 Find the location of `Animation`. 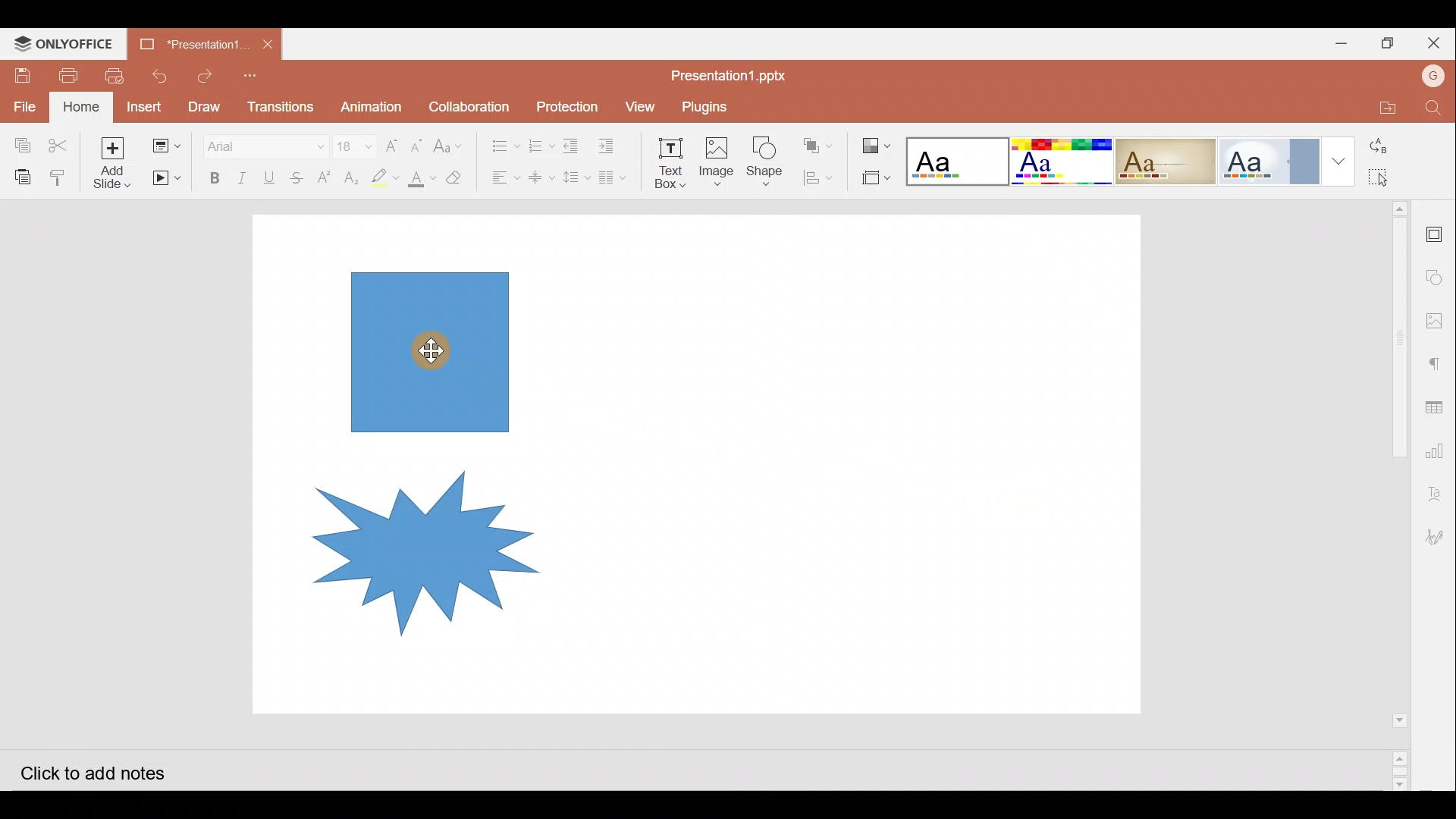

Animation is located at coordinates (372, 102).